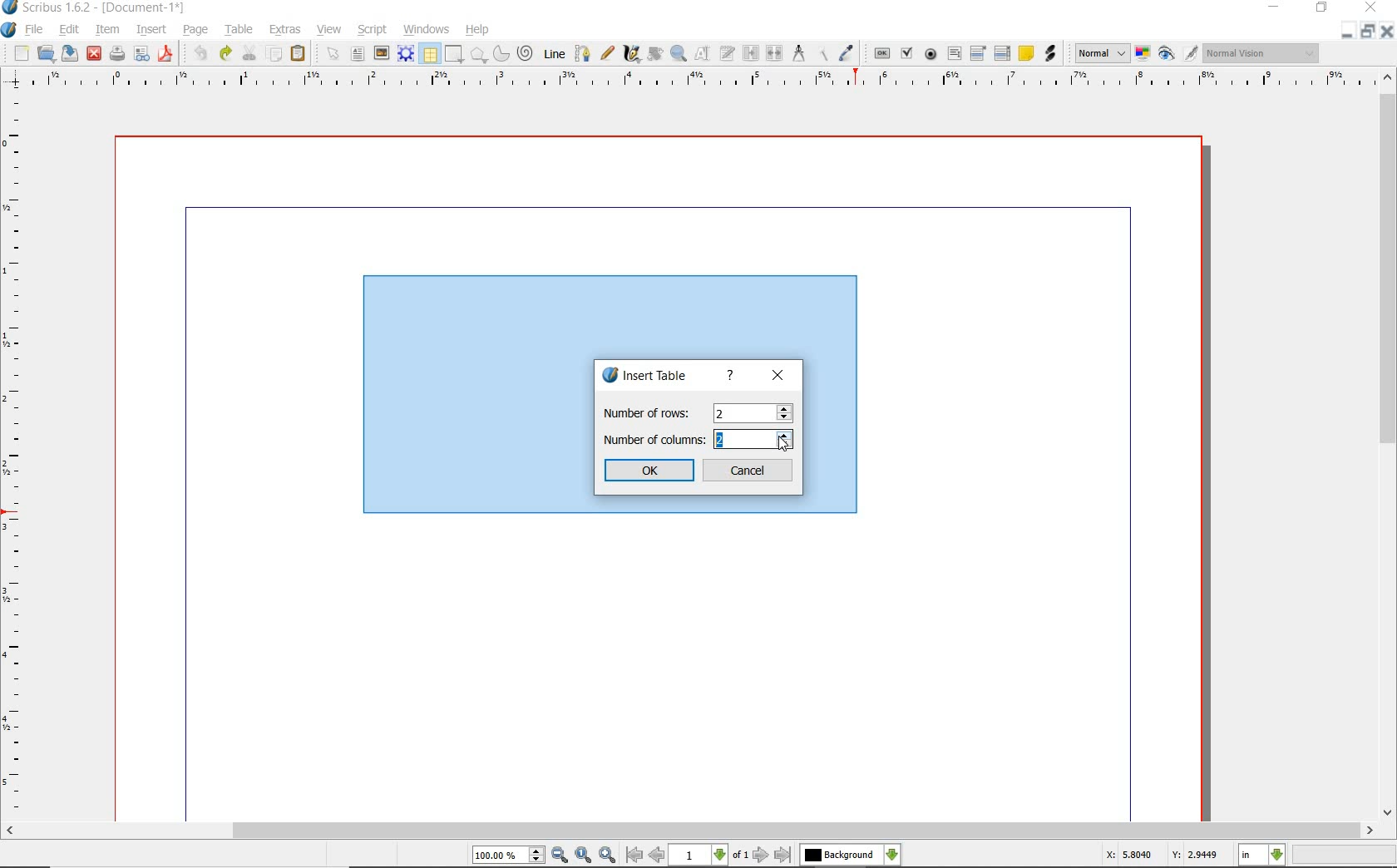  What do you see at coordinates (240, 31) in the screenshot?
I see `table` at bounding box center [240, 31].